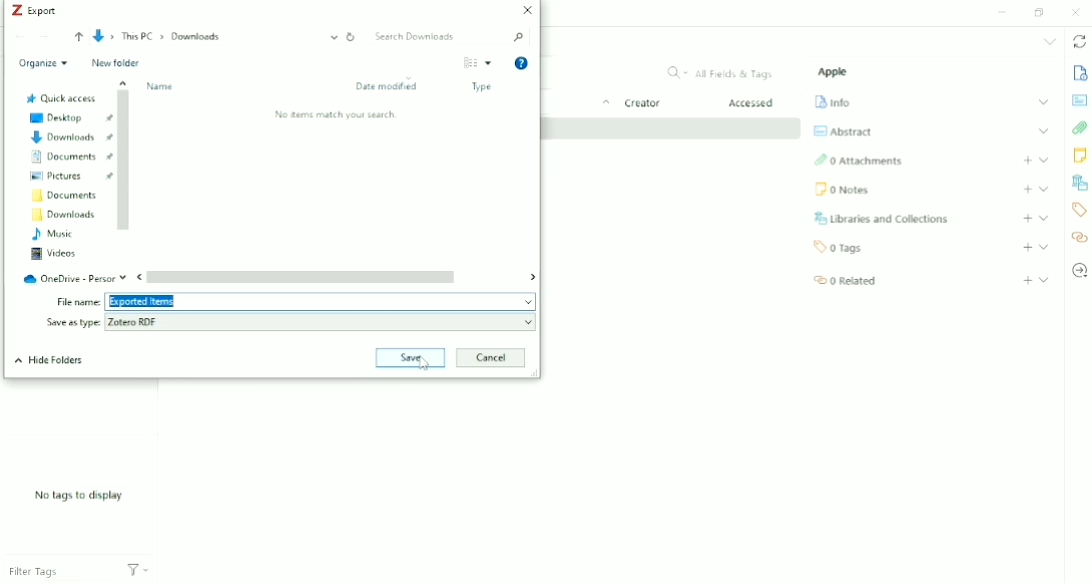 Image resolution: width=1092 pixels, height=584 pixels. I want to click on Locate, so click(1080, 271).